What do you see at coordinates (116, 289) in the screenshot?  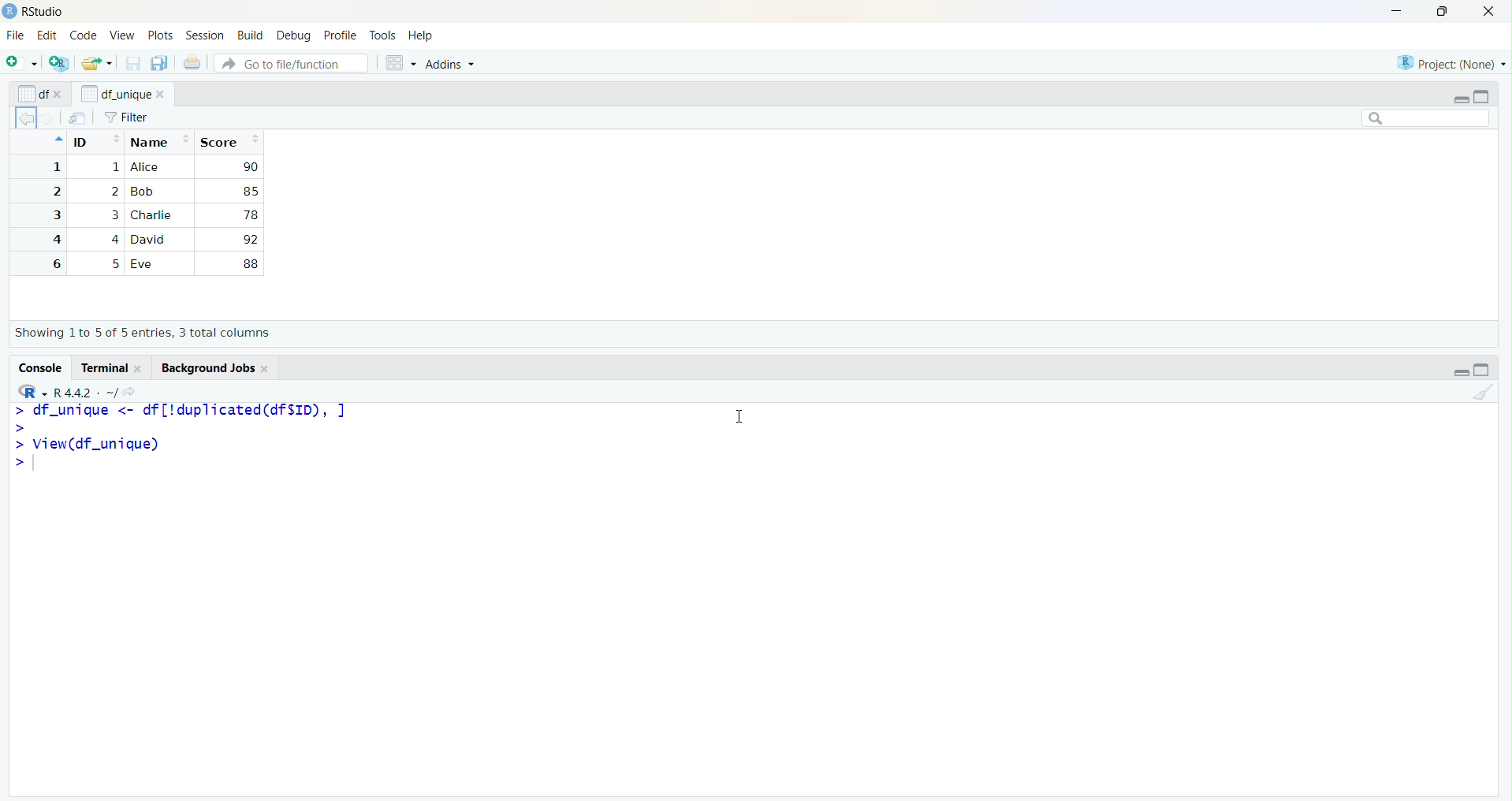 I see `5` at bounding box center [116, 289].